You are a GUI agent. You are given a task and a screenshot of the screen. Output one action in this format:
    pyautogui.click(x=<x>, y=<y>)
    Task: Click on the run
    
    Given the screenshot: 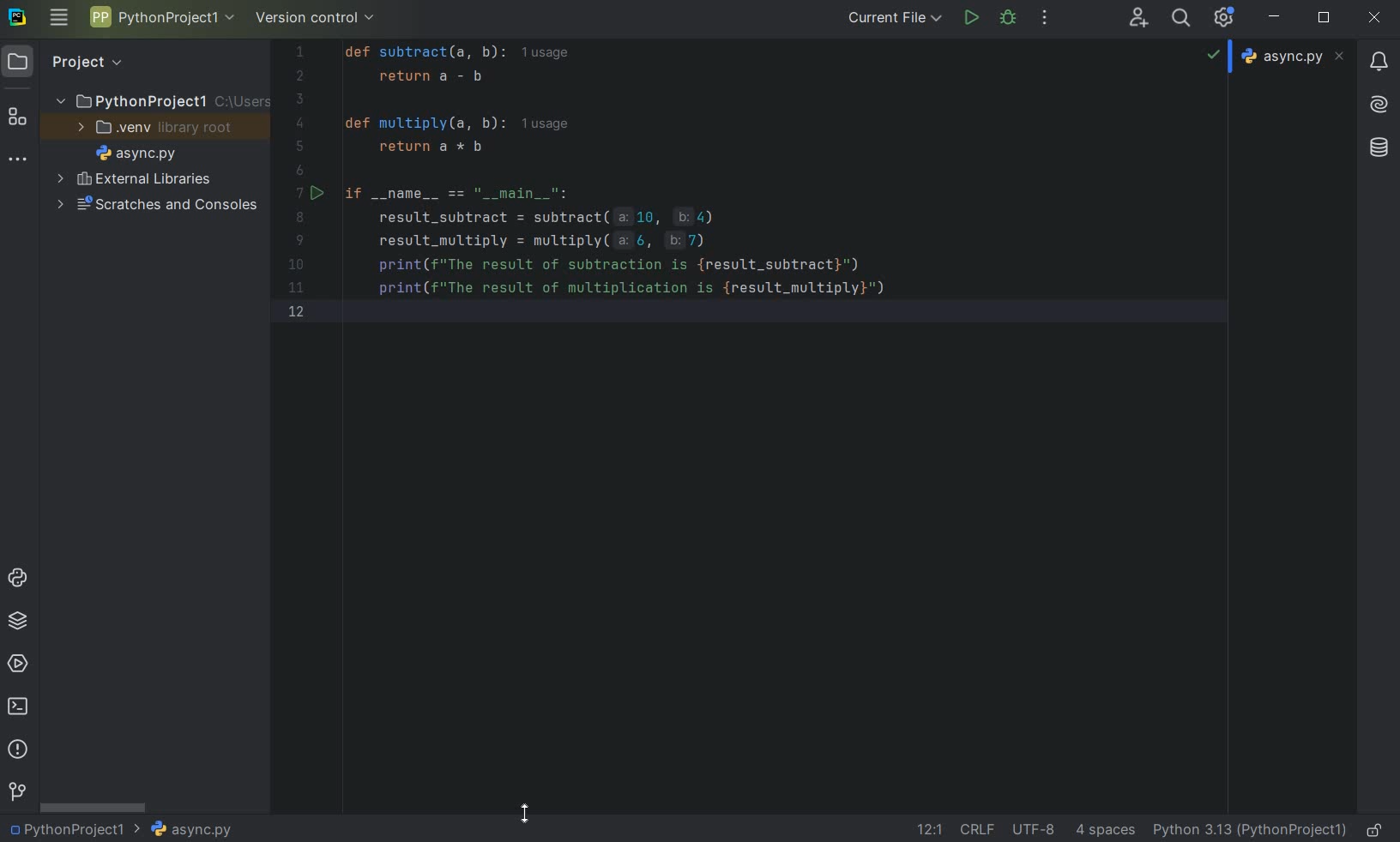 What is the action you would take?
    pyautogui.click(x=970, y=17)
    